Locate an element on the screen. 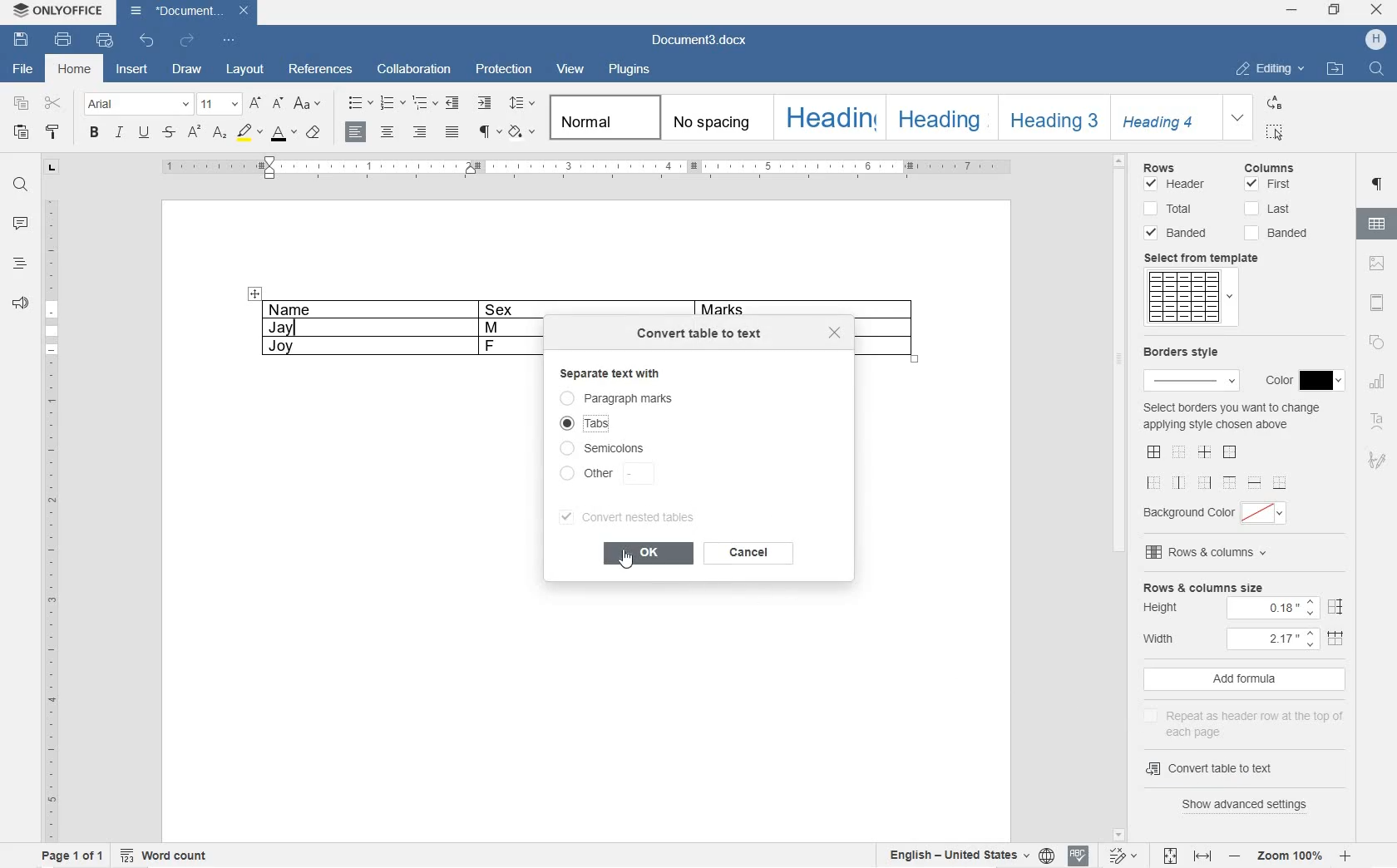 Image resolution: width=1397 pixels, height=868 pixels. set no borders is located at coordinates (1179, 450).